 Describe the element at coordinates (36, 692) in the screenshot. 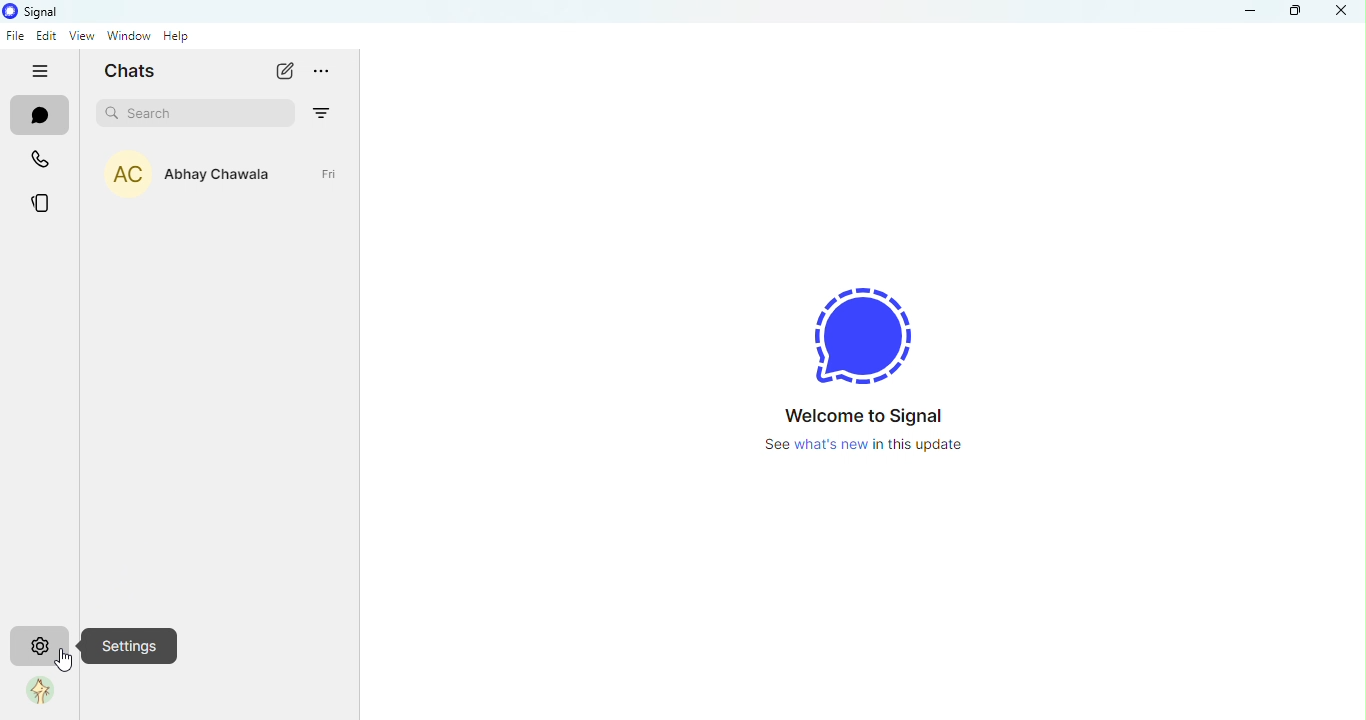

I see `profile` at that location.